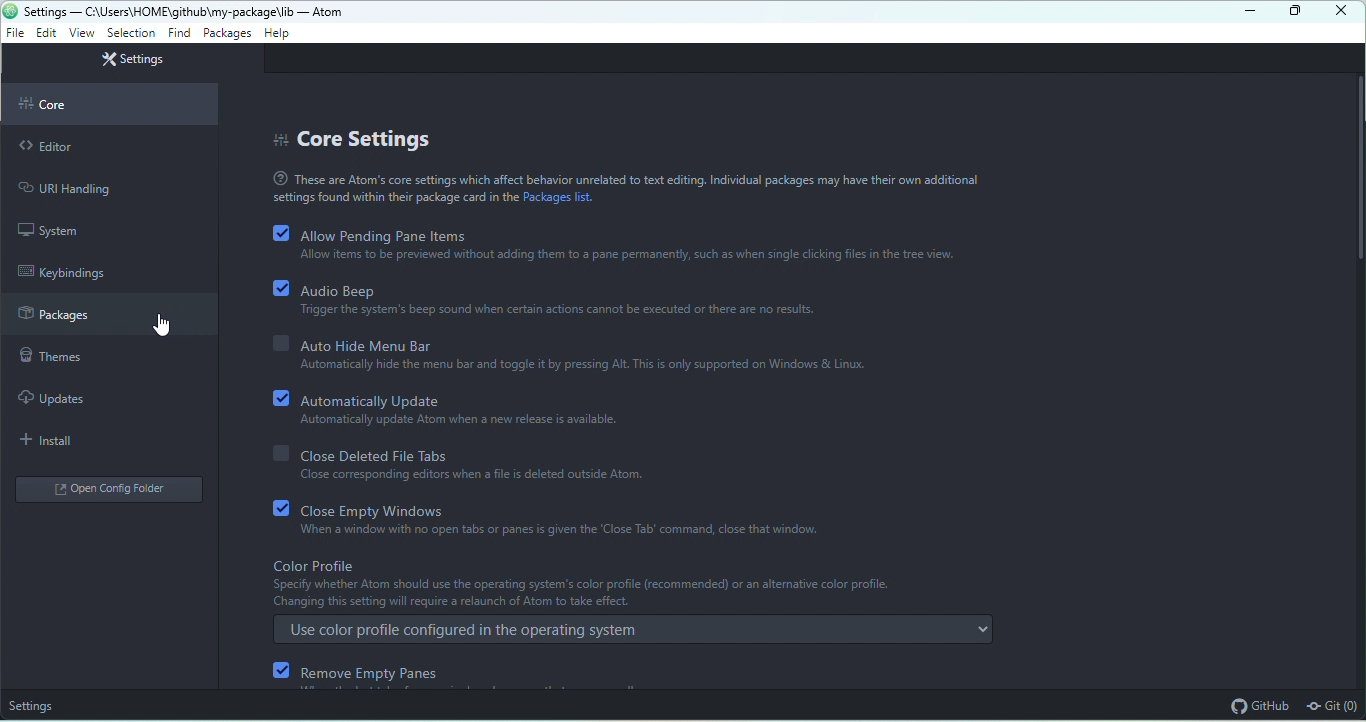 The width and height of the screenshot is (1366, 722). I want to click on keybindings, so click(72, 272).